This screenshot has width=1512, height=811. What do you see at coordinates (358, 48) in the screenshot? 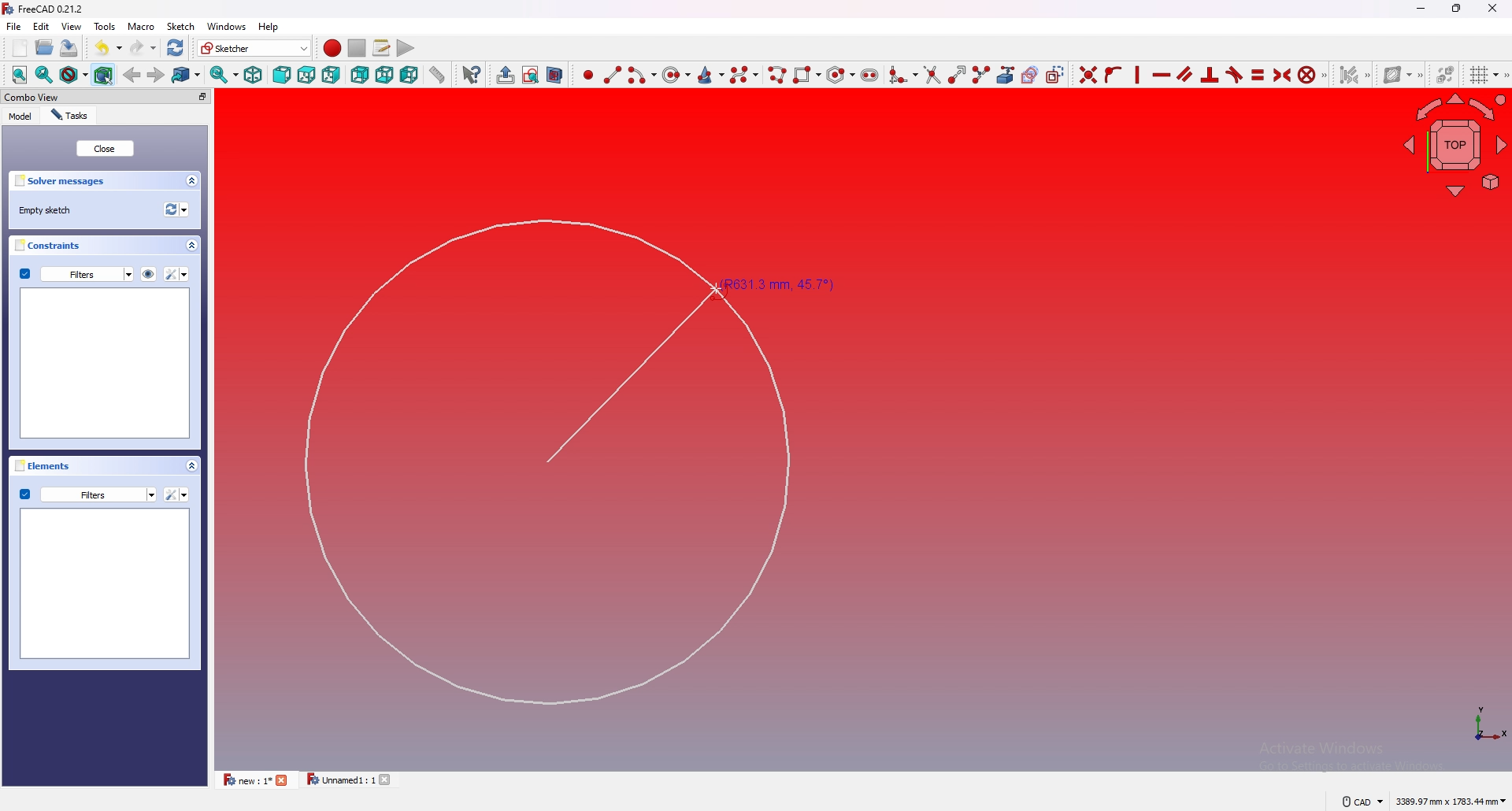
I see `stop macro` at bounding box center [358, 48].